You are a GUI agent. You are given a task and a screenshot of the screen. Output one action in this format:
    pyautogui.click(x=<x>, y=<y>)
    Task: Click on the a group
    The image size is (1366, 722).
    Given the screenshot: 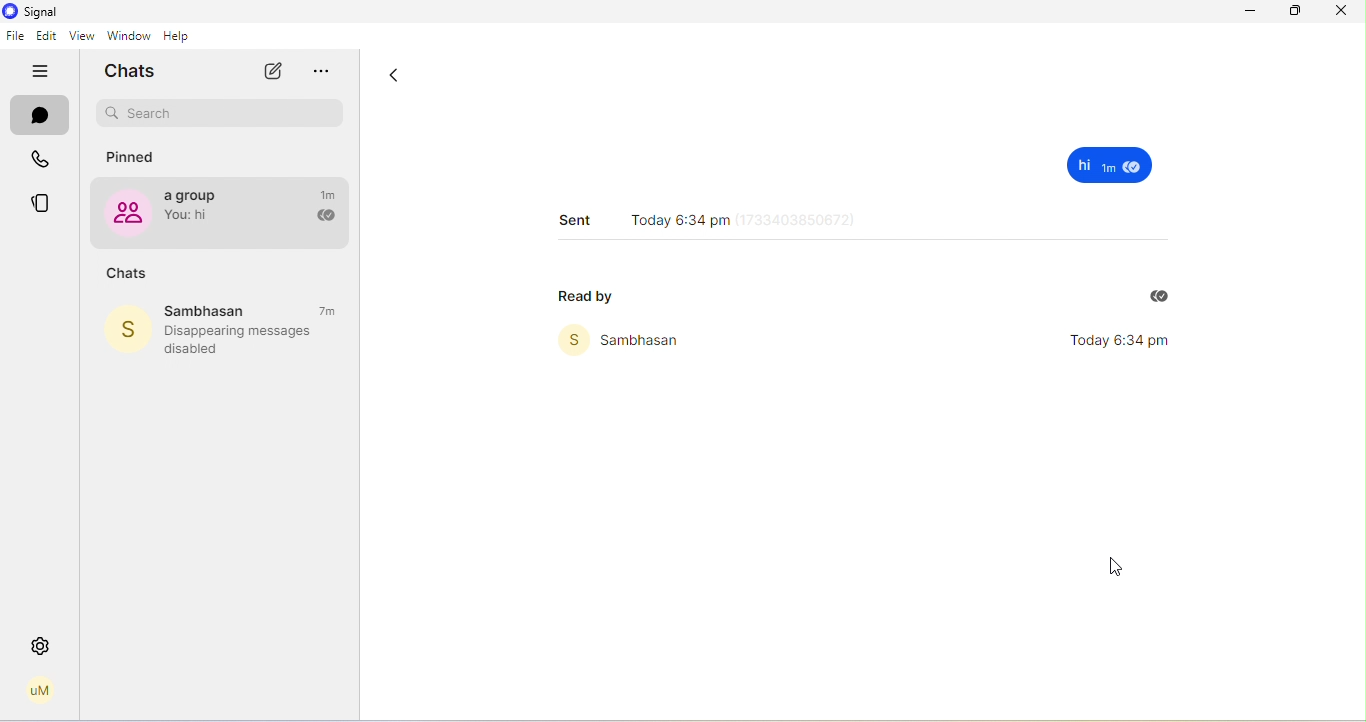 What is the action you would take?
    pyautogui.click(x=198, y=210)
    